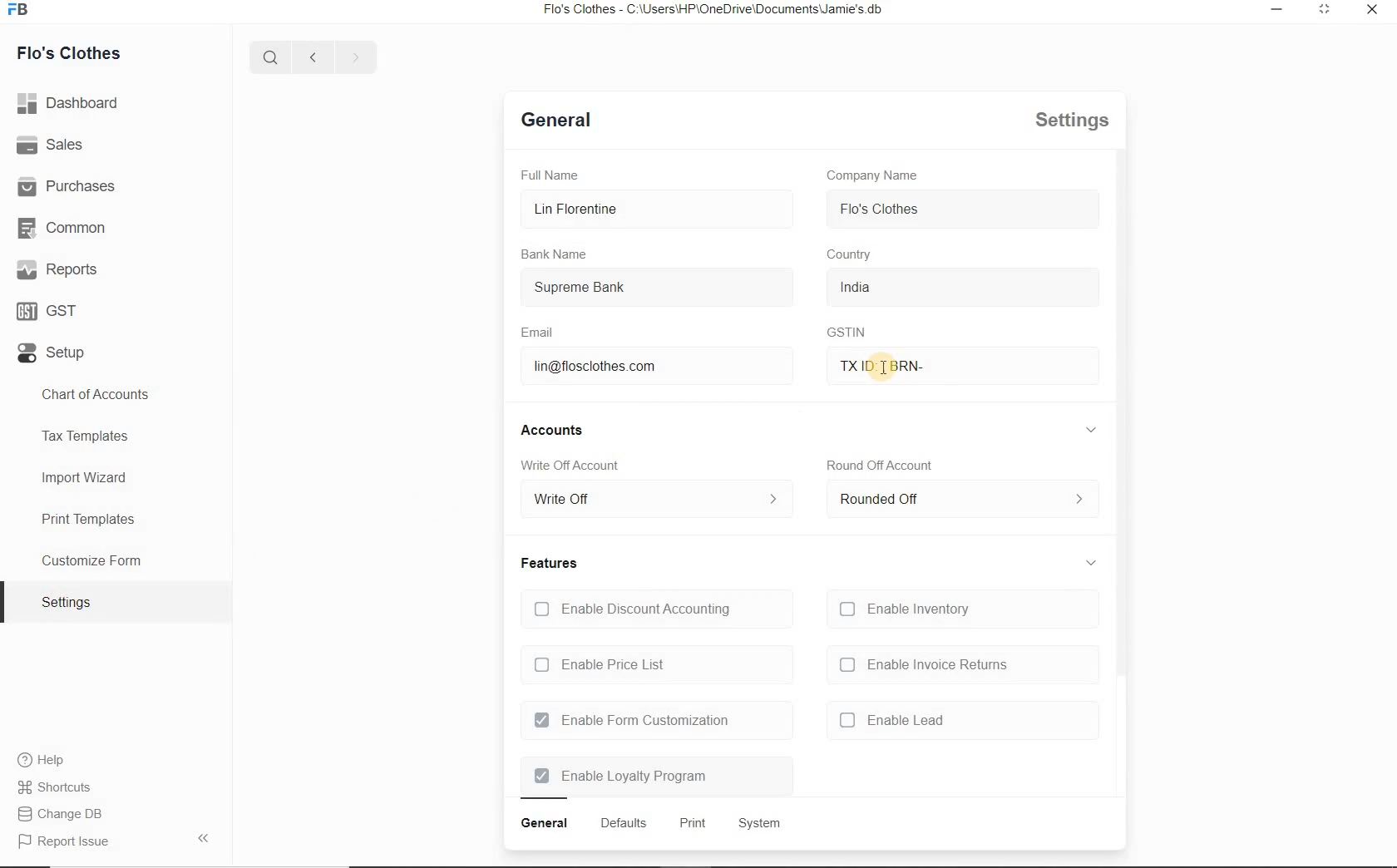 Image resolution: width=1397 pixels, height=868 pixels. Describe the element at coordinates (72, 52) in the screenshot. I see `Flo's Clothes` at that location.